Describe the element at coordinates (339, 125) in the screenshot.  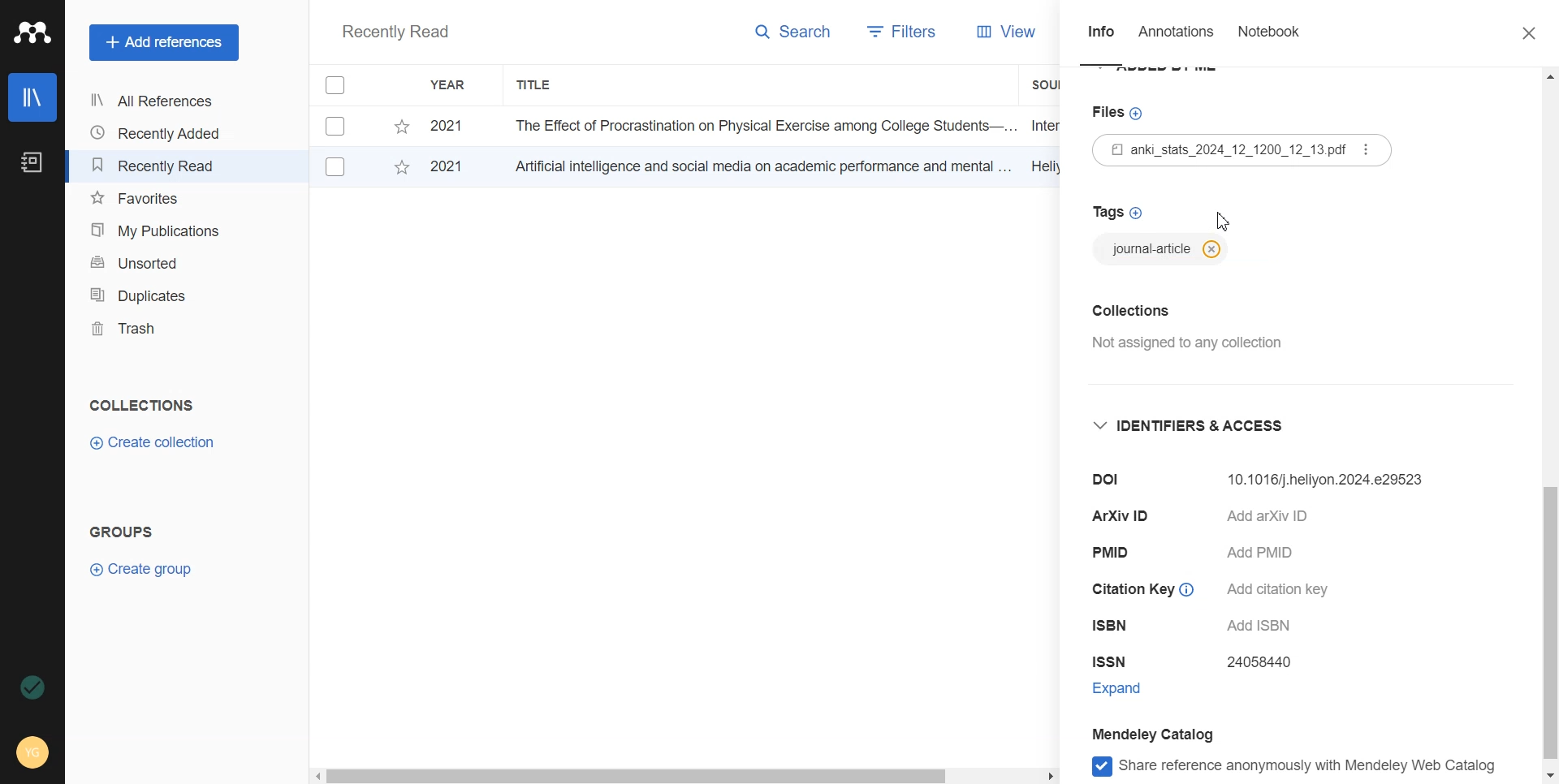
I see `Checkbox` at that location.